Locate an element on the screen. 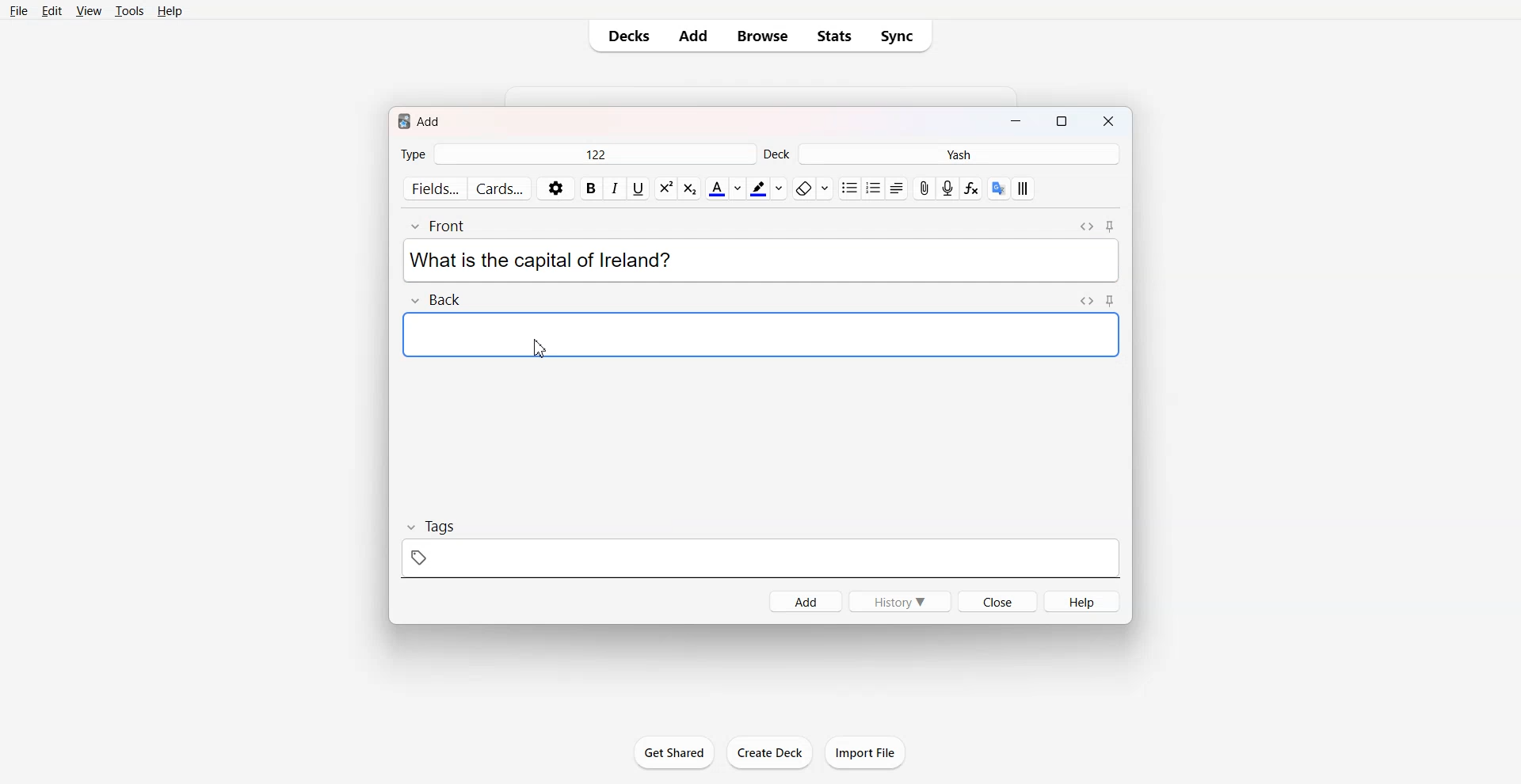 The width and height of the screenshot is (1521, 784). Stats is located at coordinates (834, 36).